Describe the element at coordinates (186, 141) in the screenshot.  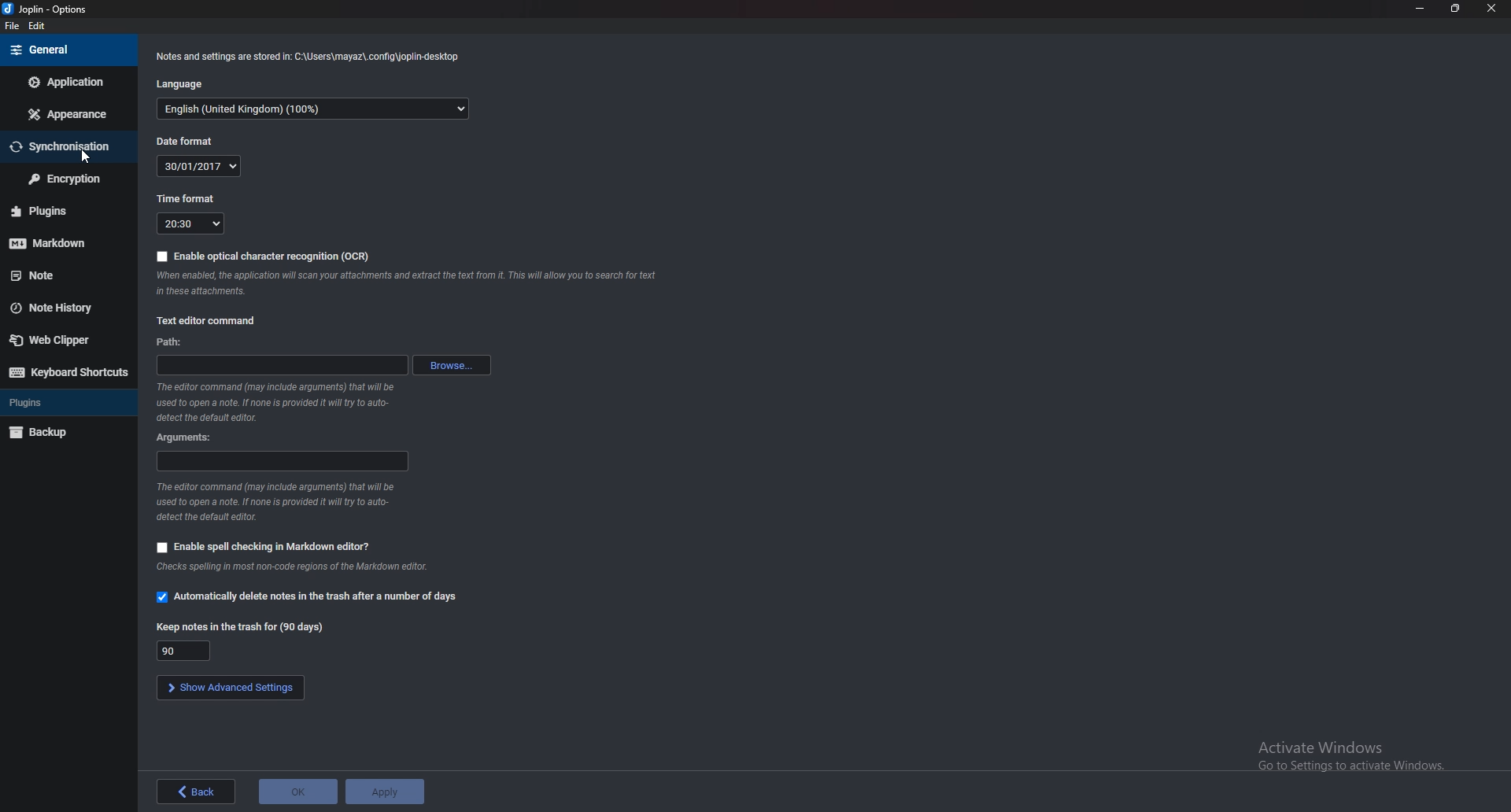
I see `date format` at that location.